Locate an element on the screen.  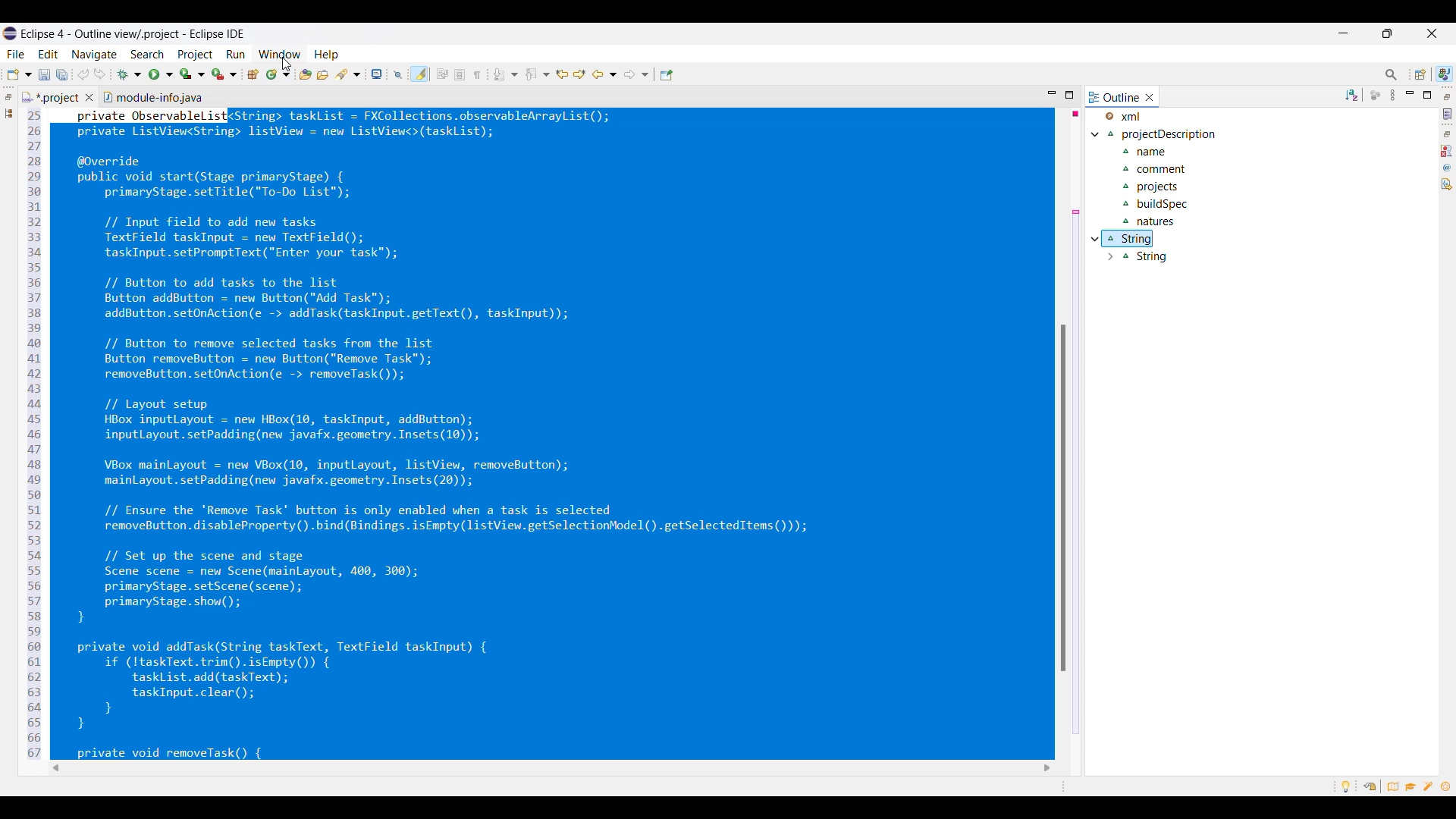
Previous edit location is located at coordinates (563, 74).